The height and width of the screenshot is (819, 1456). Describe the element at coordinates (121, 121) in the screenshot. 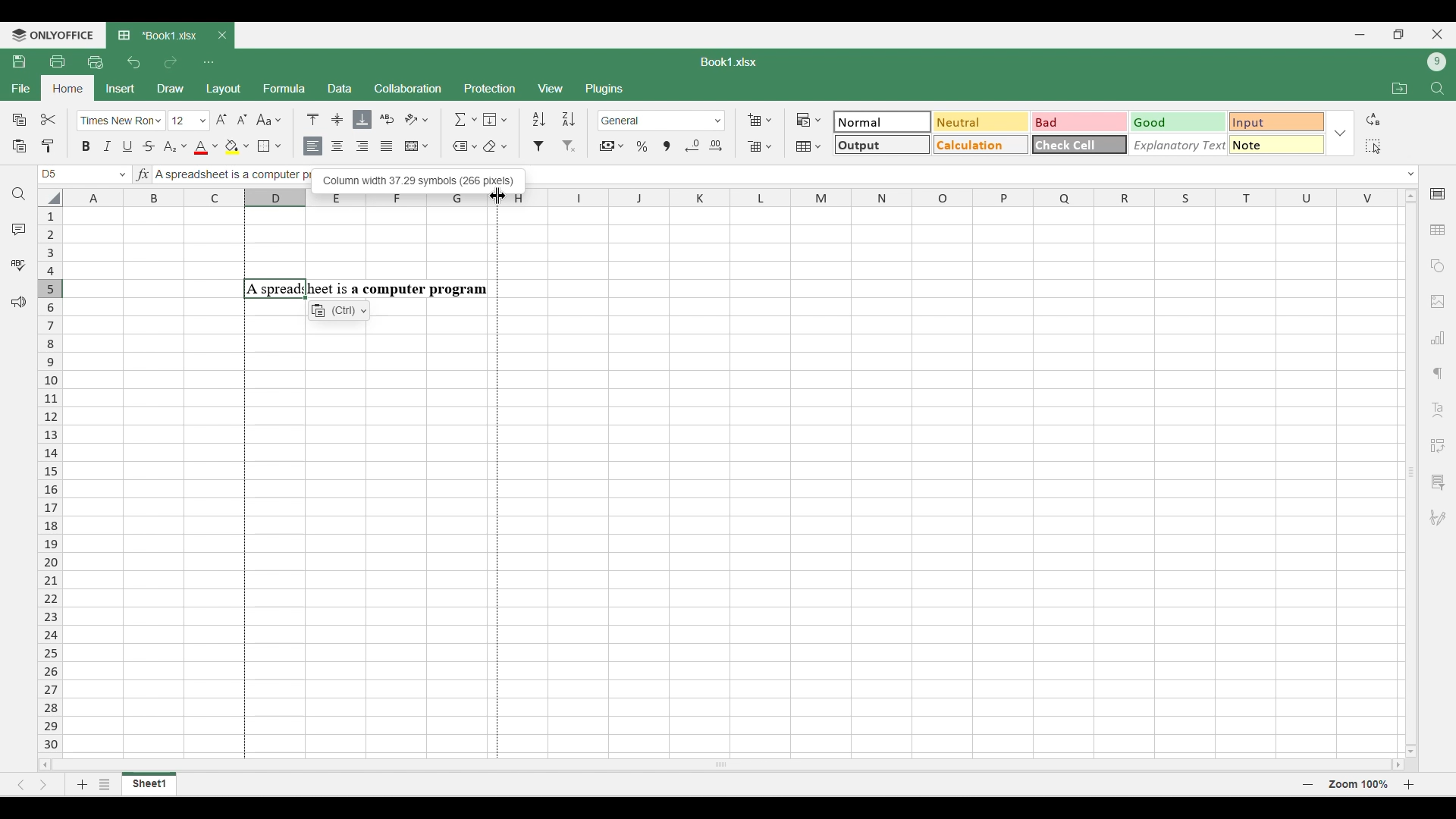

I see `Text font options` at that location.